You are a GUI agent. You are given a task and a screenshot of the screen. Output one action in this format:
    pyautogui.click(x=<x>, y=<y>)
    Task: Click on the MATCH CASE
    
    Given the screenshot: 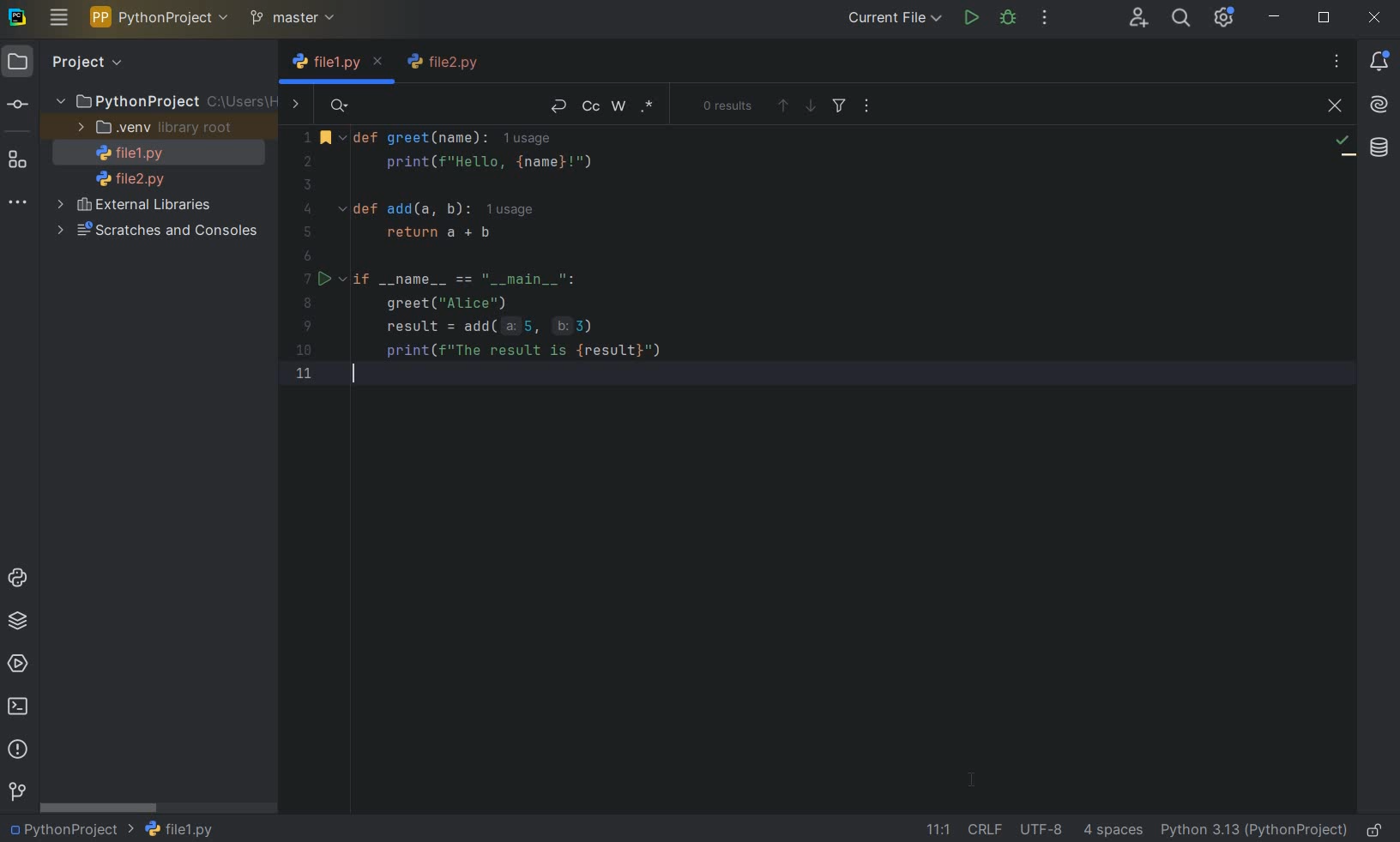 What is the action you would take?
    pyautogui.click(x=592, y=106)
    